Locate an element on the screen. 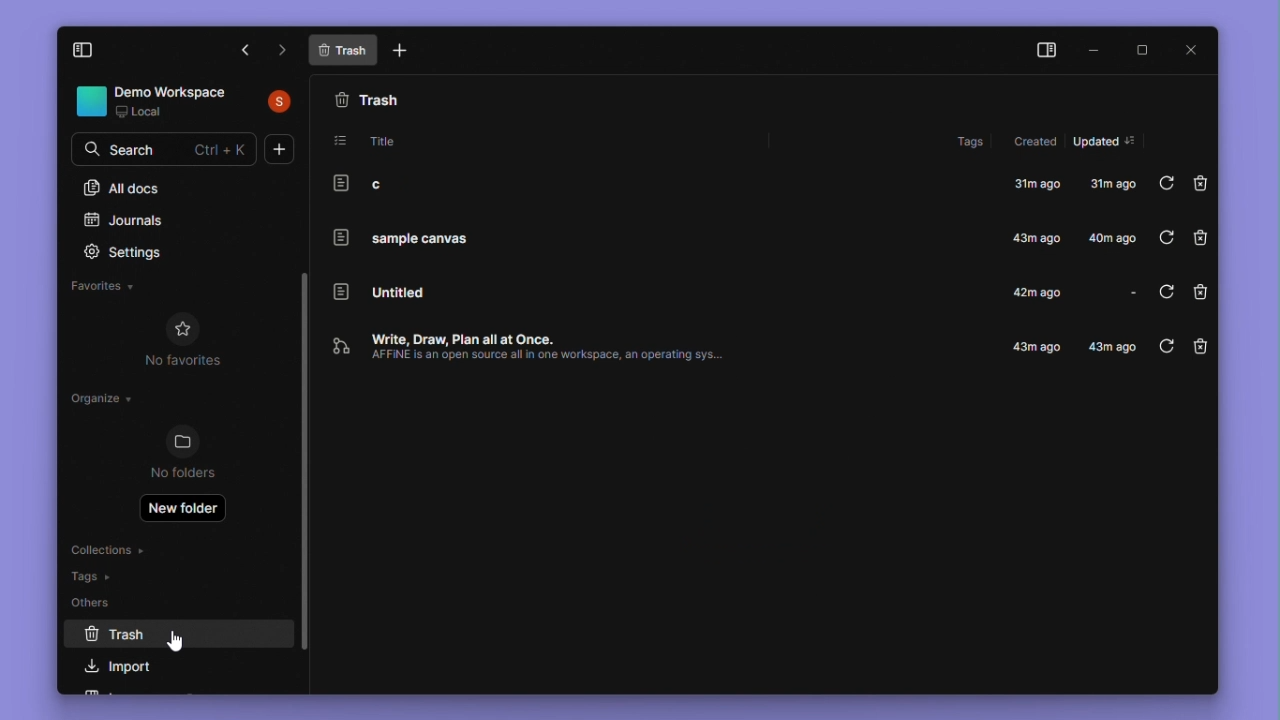 This screenshot has width=1280, height=720. Settings is located at coordinates (123, 251).